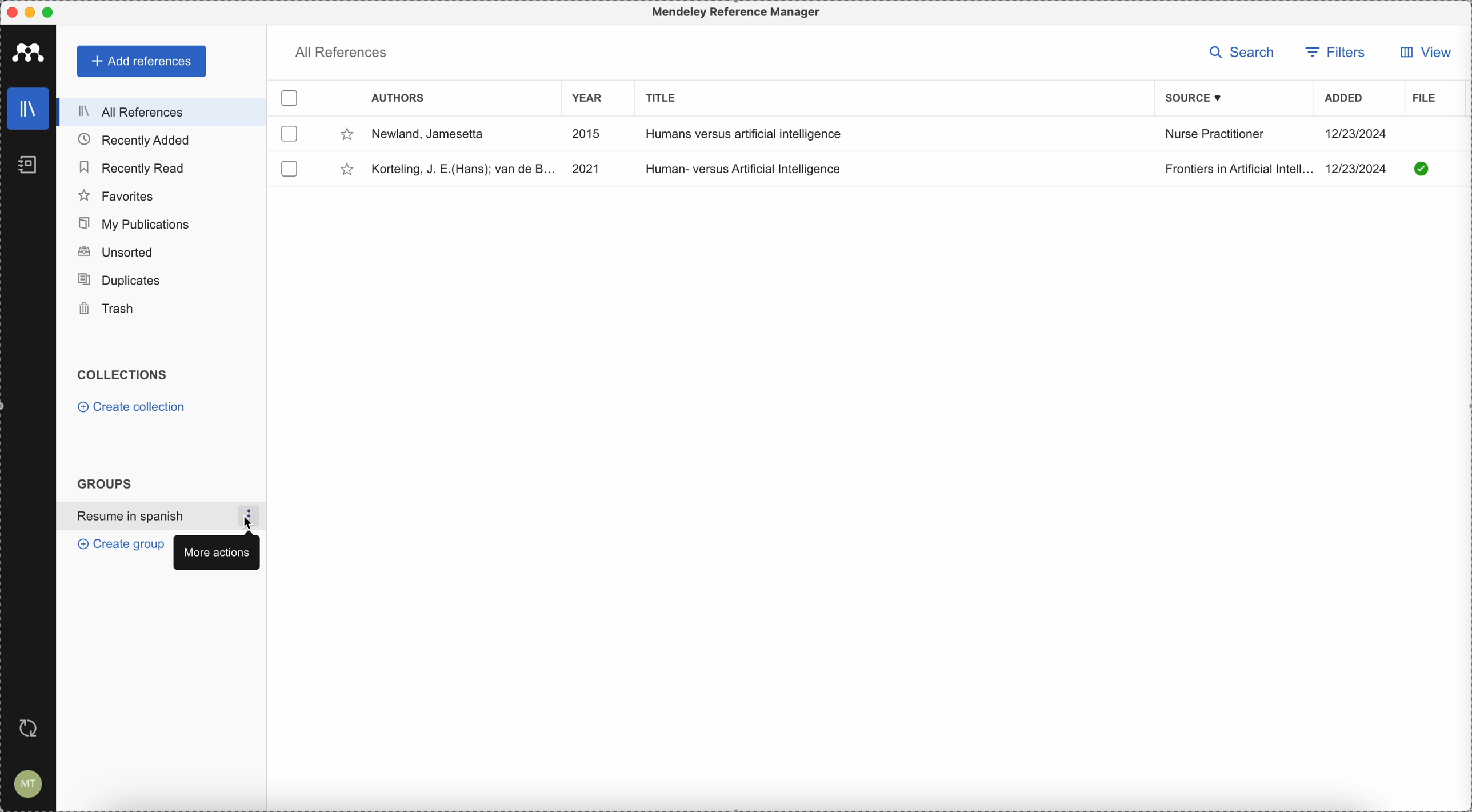 The height and width of the screenshot is (812, 1472). What do you see at coordinates (1421, 55) in the screenshot?
I see `view` at bounding box center [1421, 55].